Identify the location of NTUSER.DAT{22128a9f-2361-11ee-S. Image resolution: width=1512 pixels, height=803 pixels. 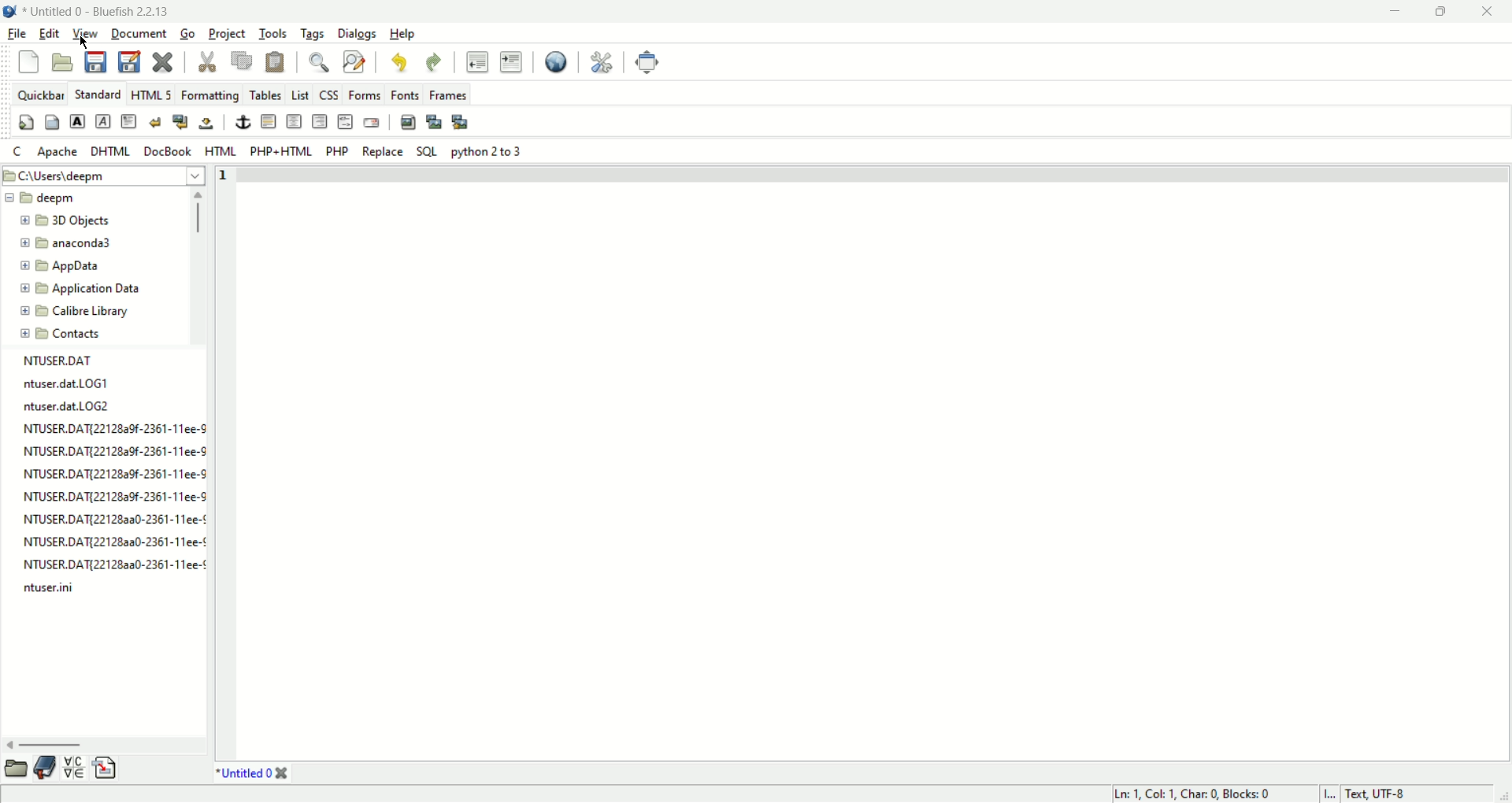
(114, 499).